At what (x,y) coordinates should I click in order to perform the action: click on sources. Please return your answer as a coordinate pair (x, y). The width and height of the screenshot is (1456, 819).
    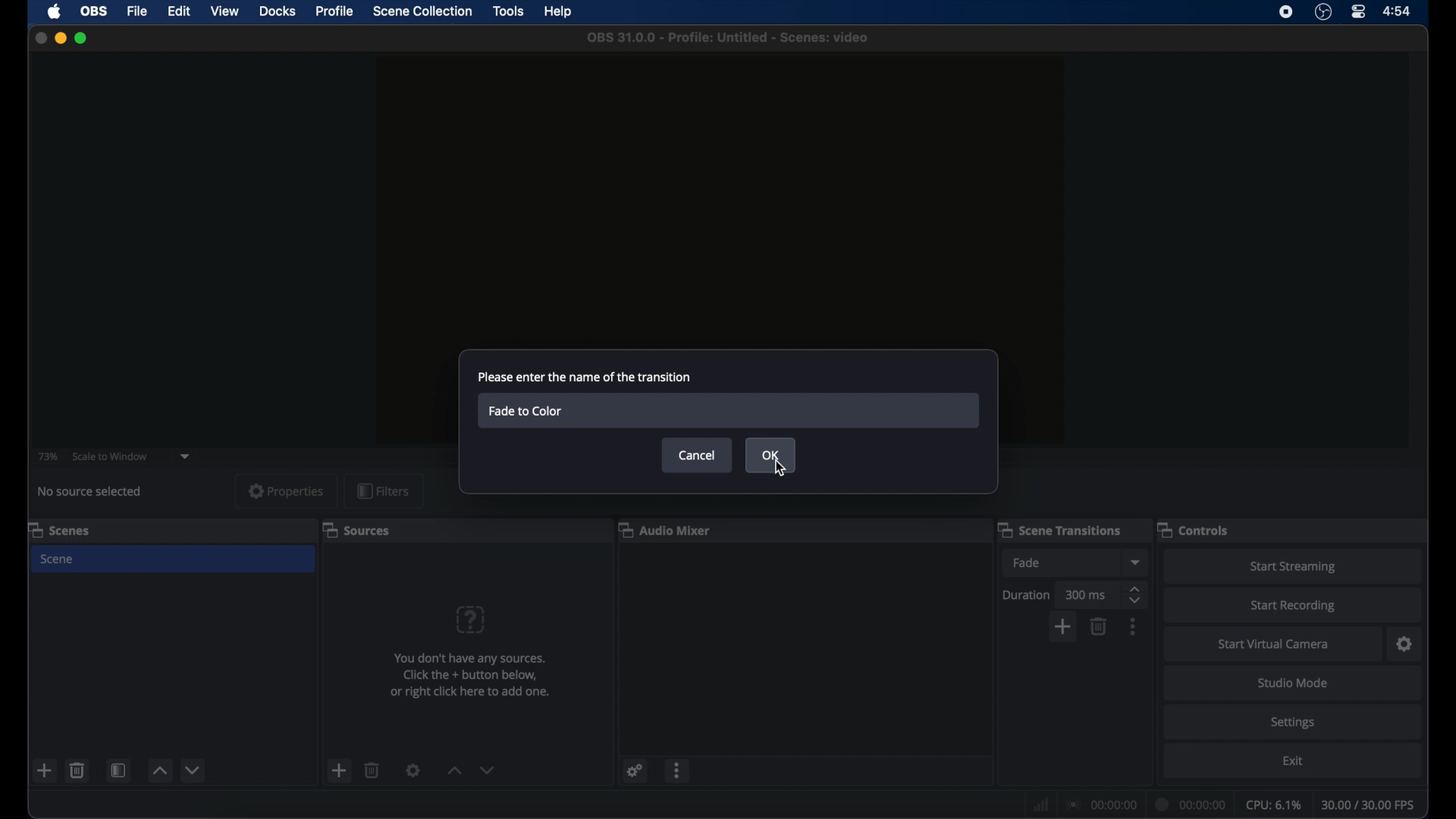
    Looking at the image, I should click on (356, 529).